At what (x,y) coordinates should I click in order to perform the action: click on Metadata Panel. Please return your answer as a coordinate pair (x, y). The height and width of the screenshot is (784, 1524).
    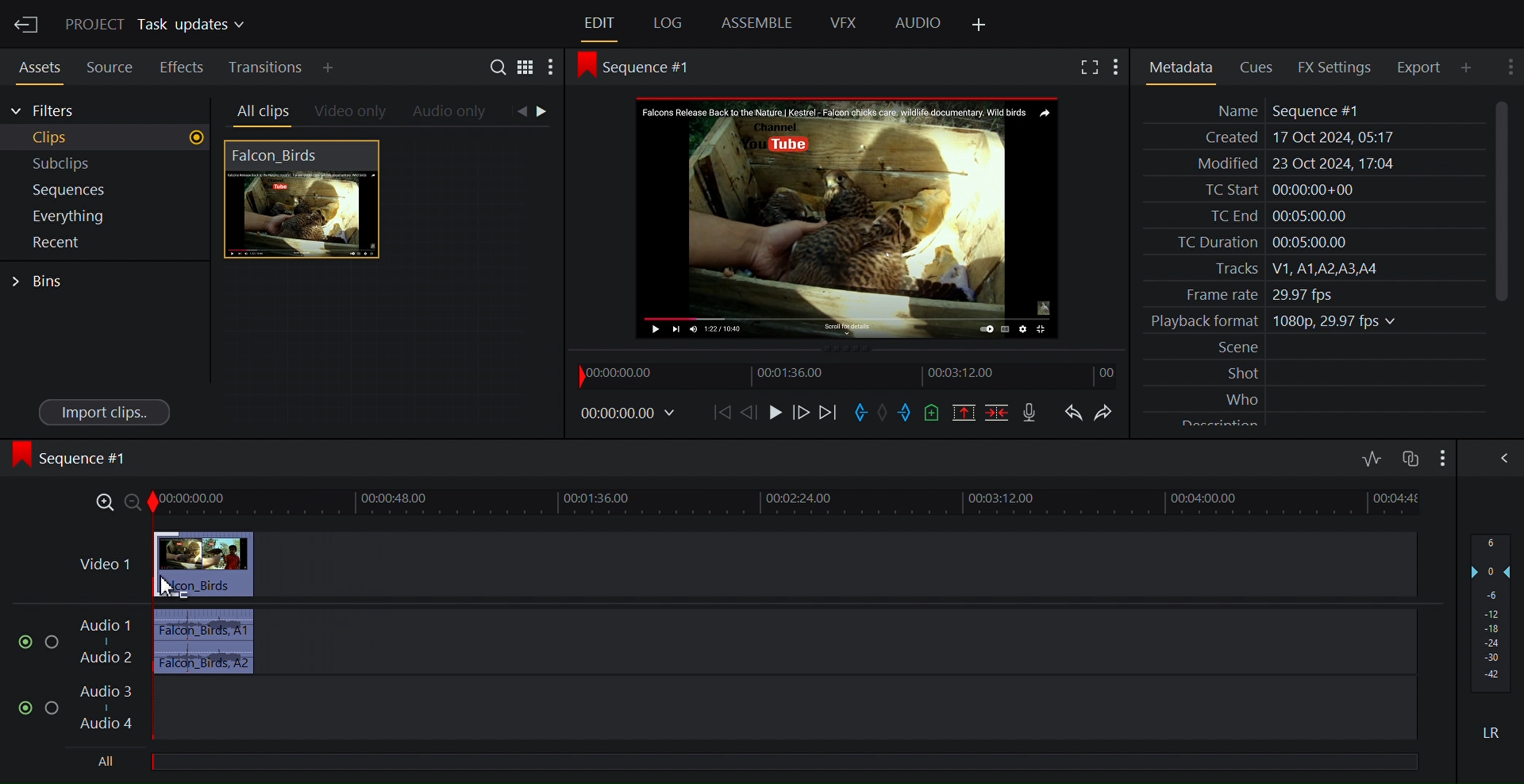
    Looking at the image, I should click on (1180, 67).